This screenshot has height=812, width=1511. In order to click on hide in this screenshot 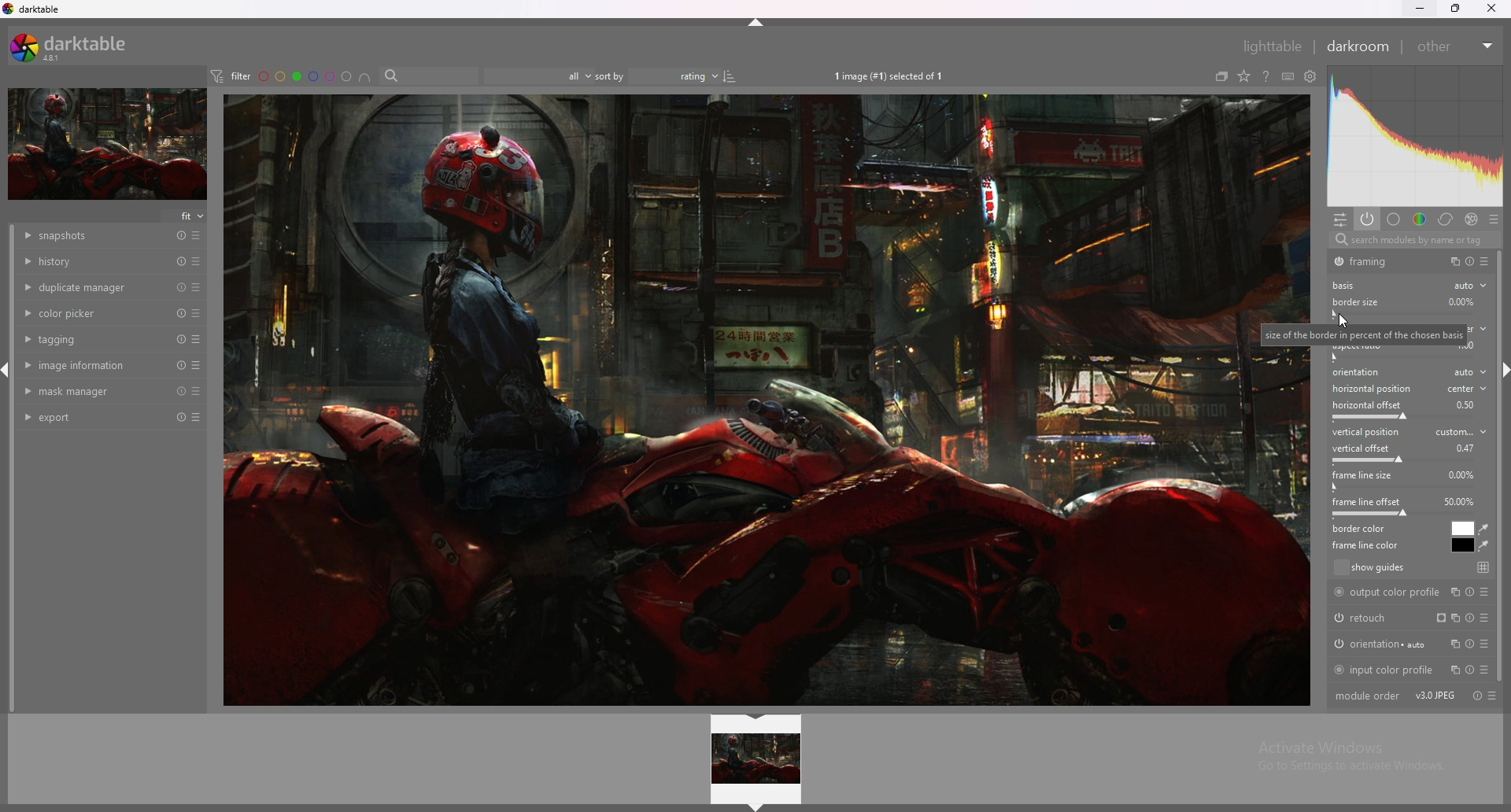, I will do `click(758, 718)`.